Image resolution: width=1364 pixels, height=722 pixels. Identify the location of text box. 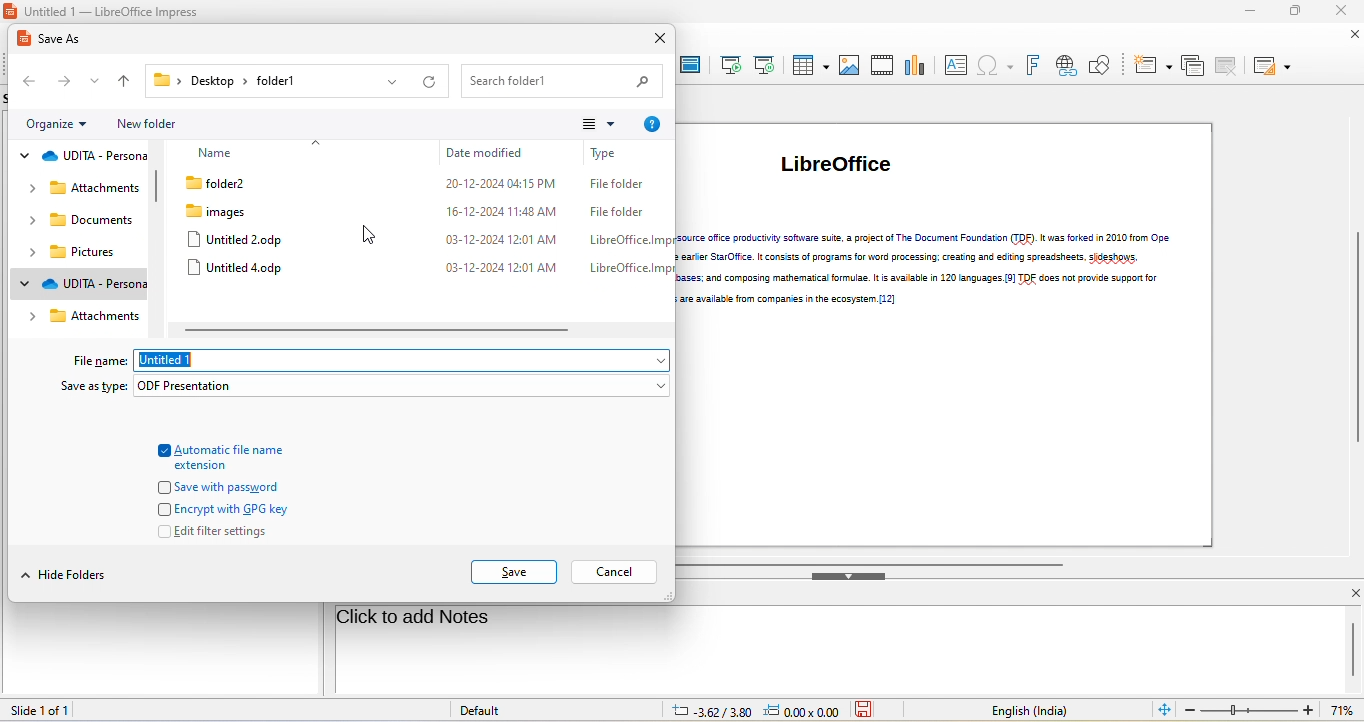
(955, 67).